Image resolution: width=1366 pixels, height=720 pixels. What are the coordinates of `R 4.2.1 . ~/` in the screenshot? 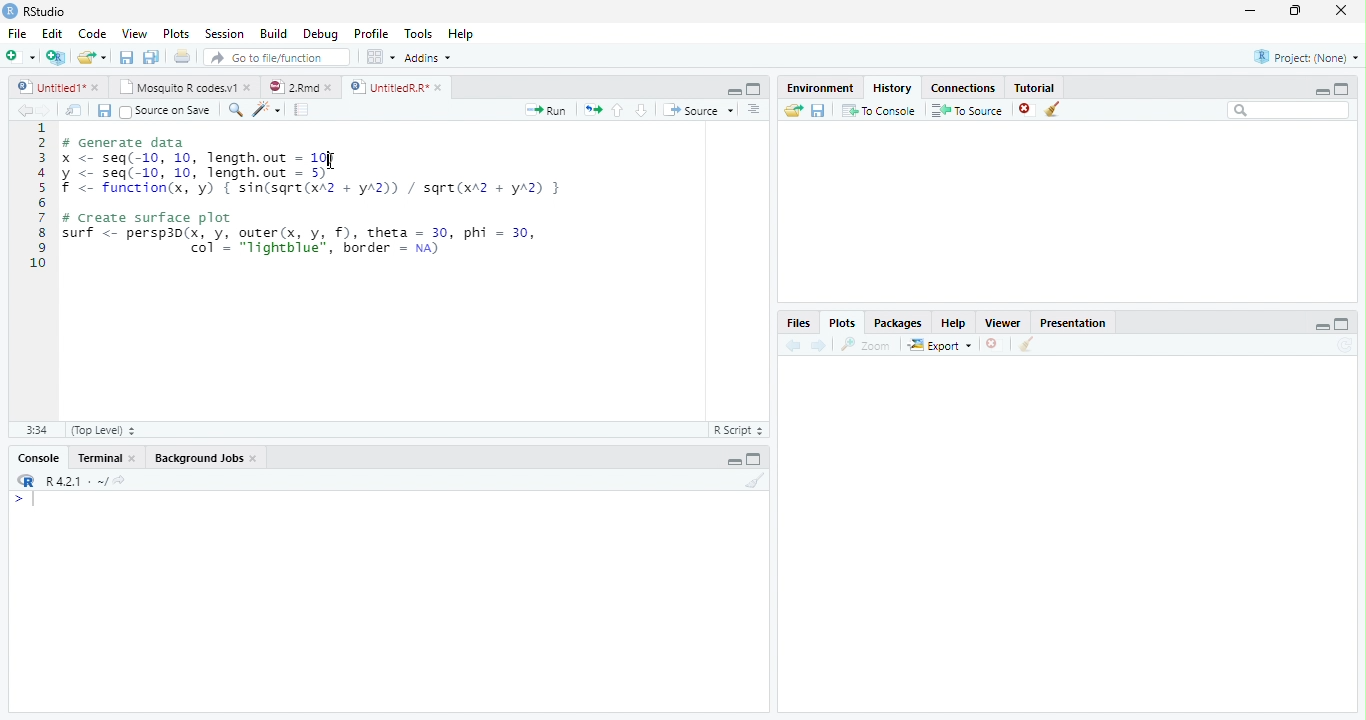 It's located at (76, 480).